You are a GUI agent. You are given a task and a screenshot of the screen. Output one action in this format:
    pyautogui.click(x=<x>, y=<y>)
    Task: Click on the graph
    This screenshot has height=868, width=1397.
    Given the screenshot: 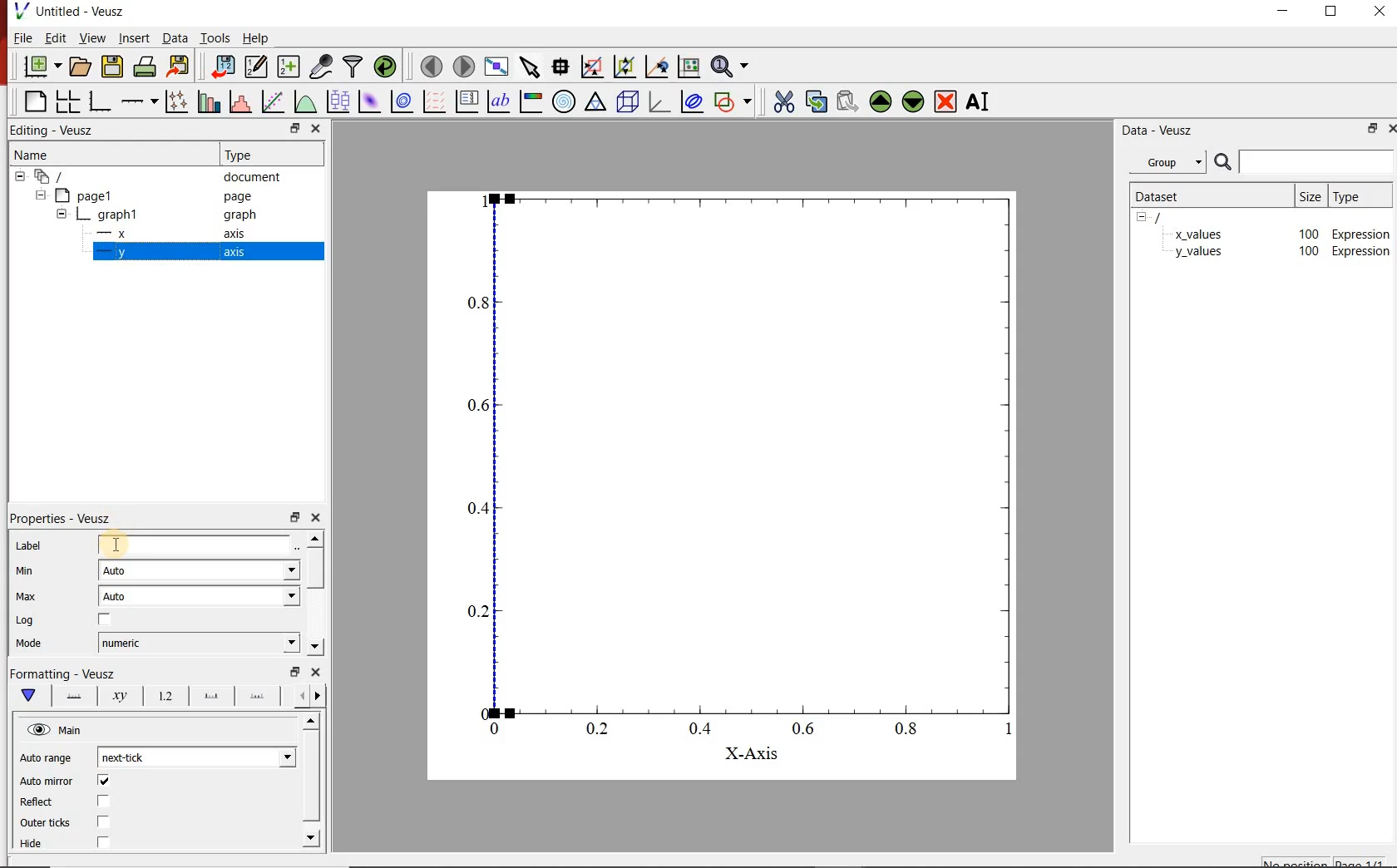 What is the action you would take?
    pyautogui.click(x=239, y=215)
    